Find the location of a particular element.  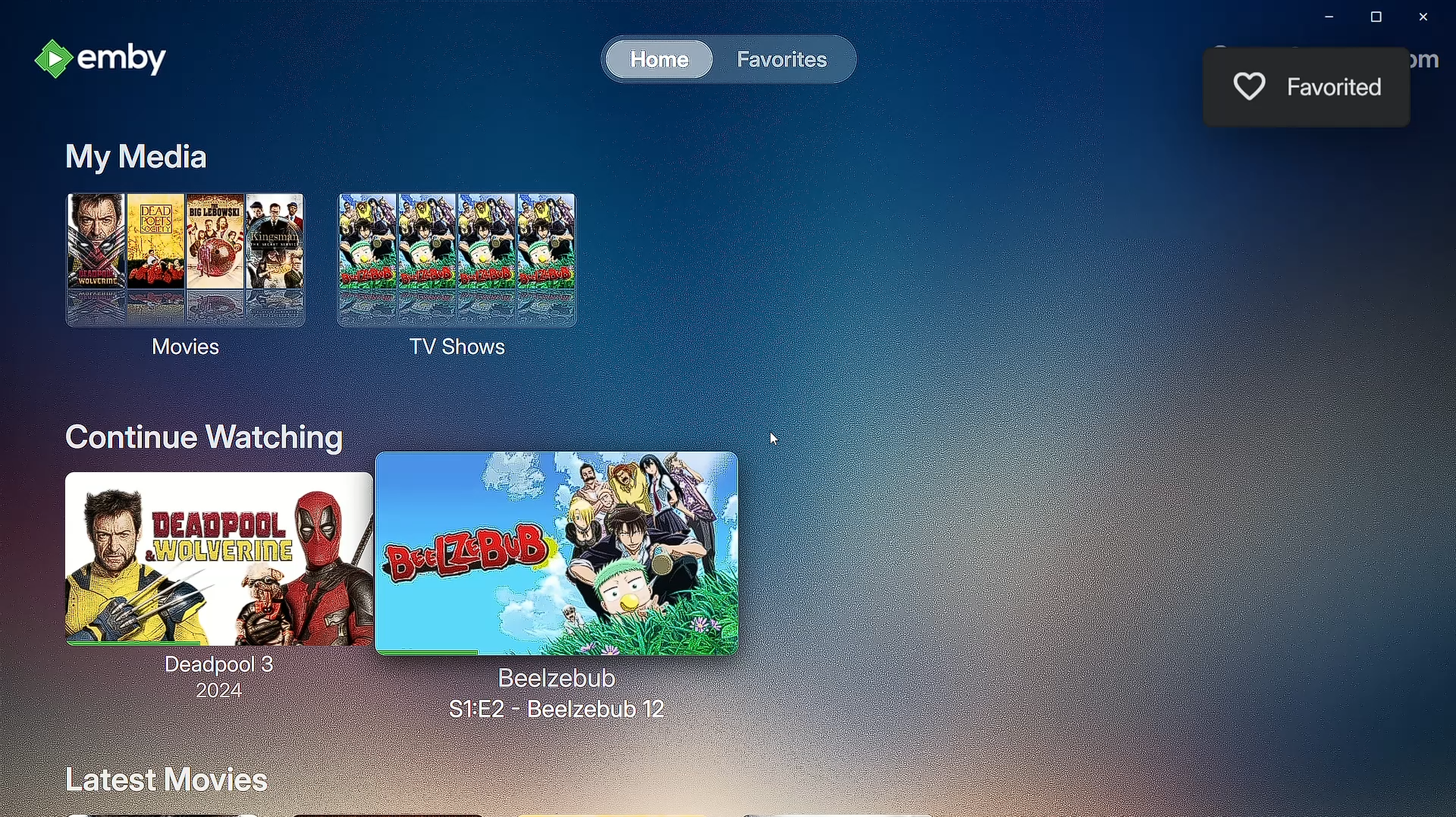

Home is located at coordinates (657, 58).